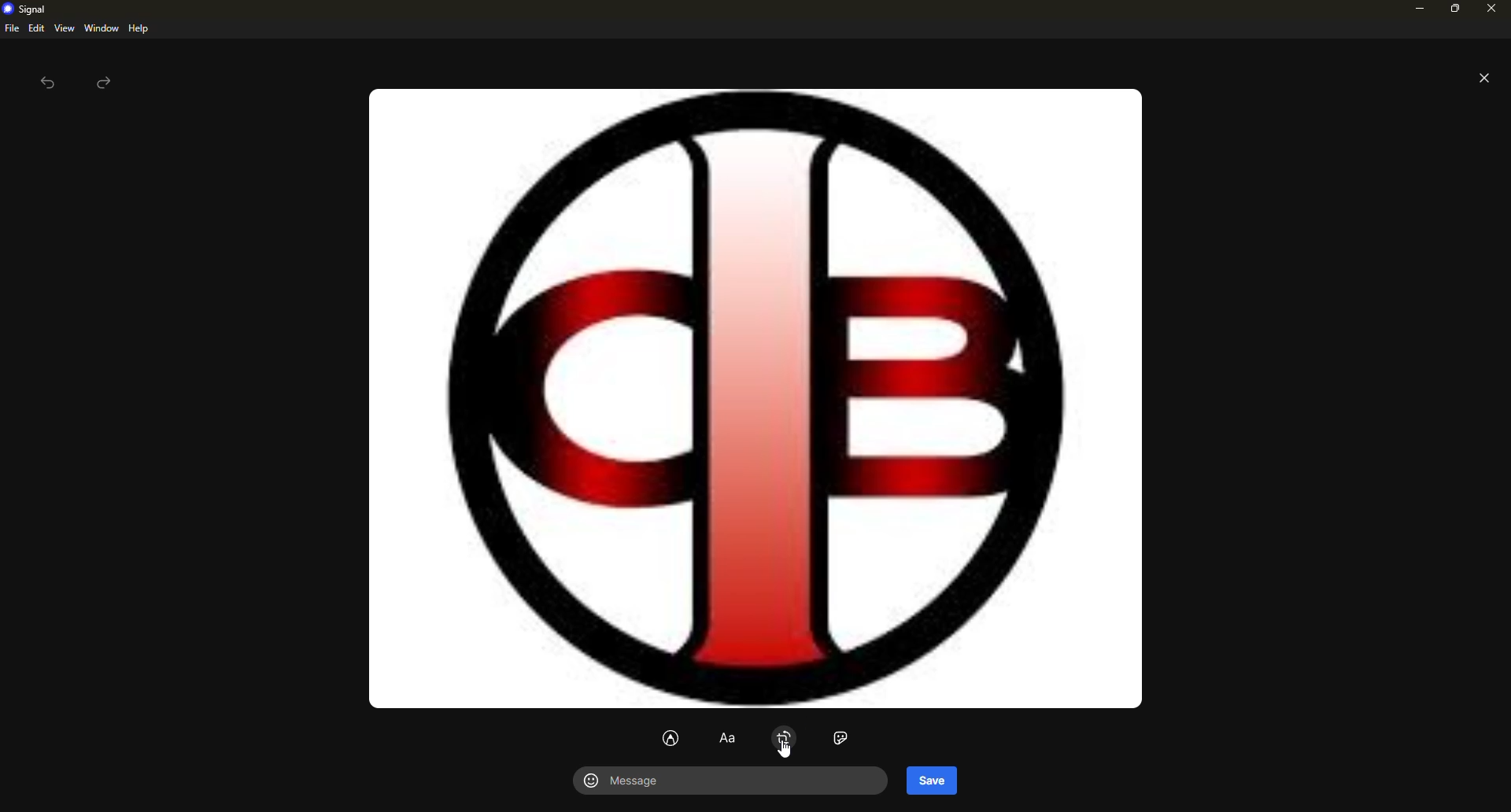 The height and width of the screenshot is (812, 1511). I want to click on window, so click(102, 28).